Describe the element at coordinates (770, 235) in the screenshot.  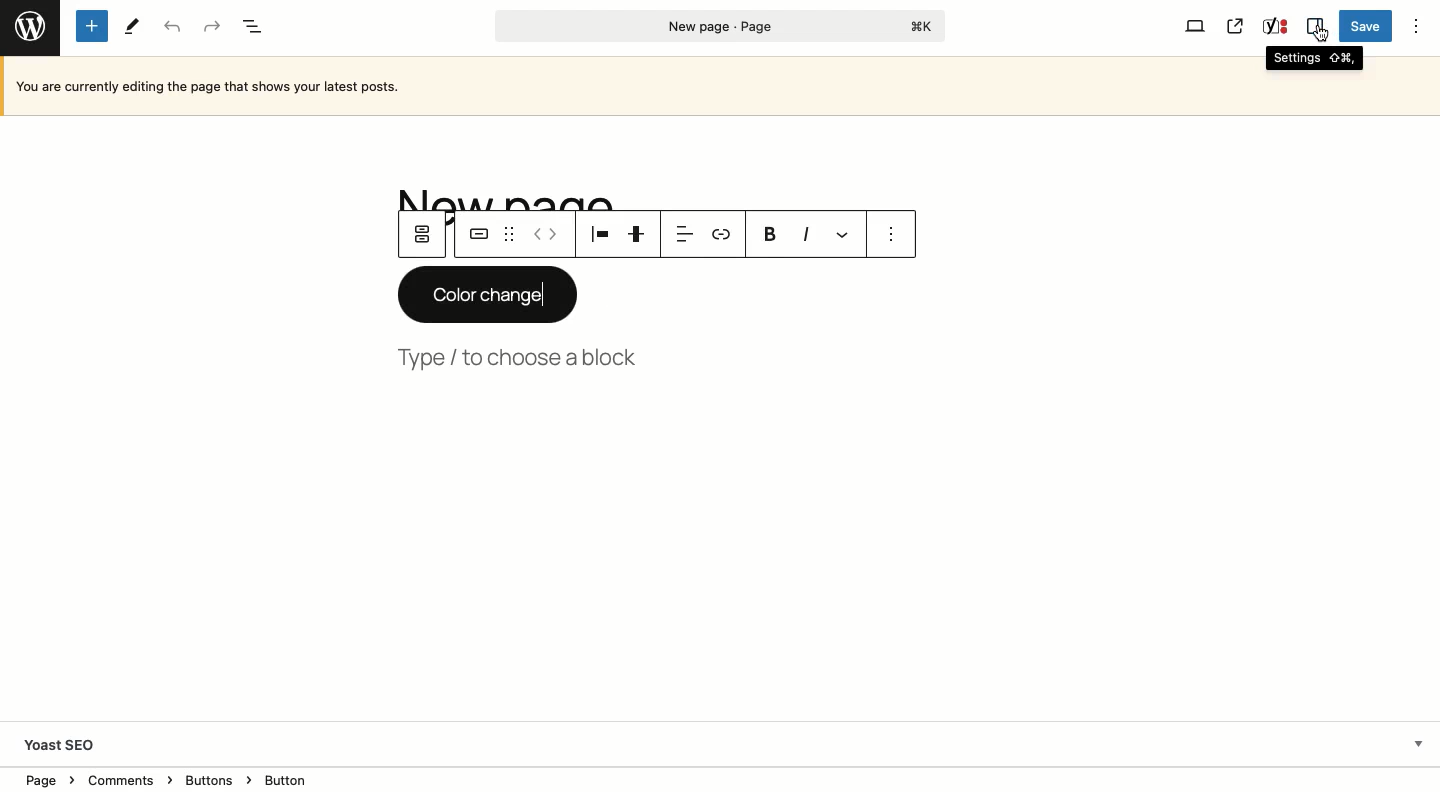
I see `Bold` at that location.